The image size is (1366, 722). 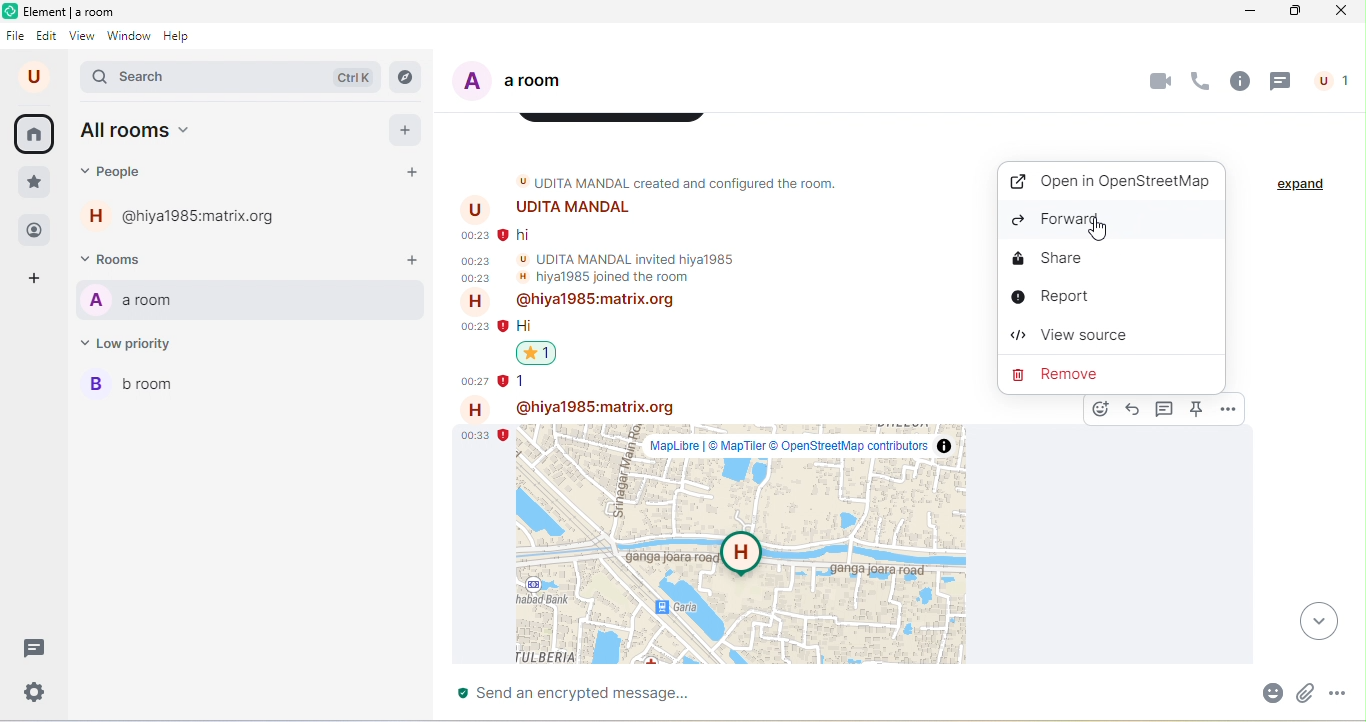 What do you see at coordinates (720, 279) in the screenshot?
I see `older messages in room a` at bounding box center [720, 279].